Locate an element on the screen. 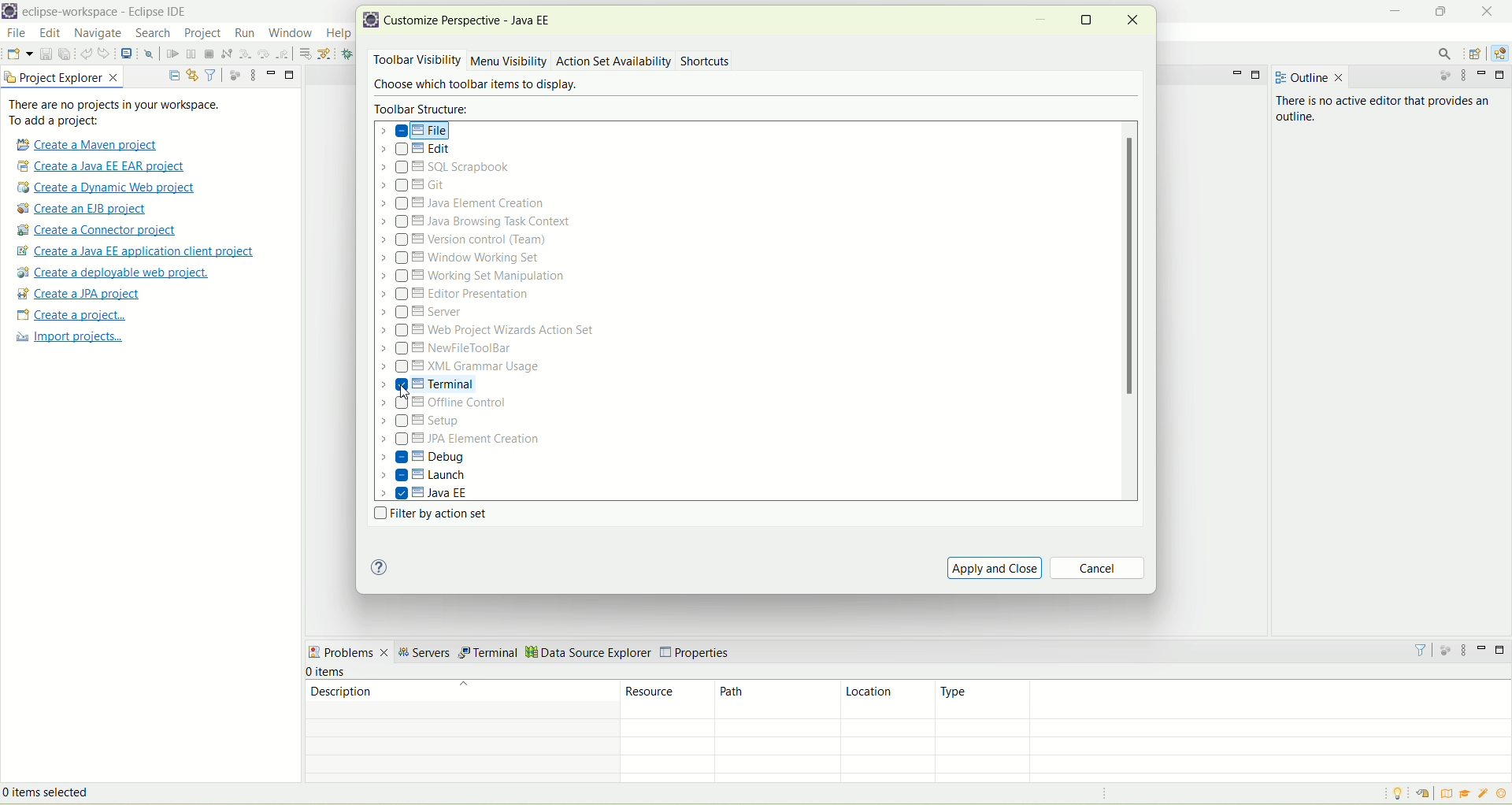 This screenshot has height=805, width=1512. window is located at coordinates (290, 34).